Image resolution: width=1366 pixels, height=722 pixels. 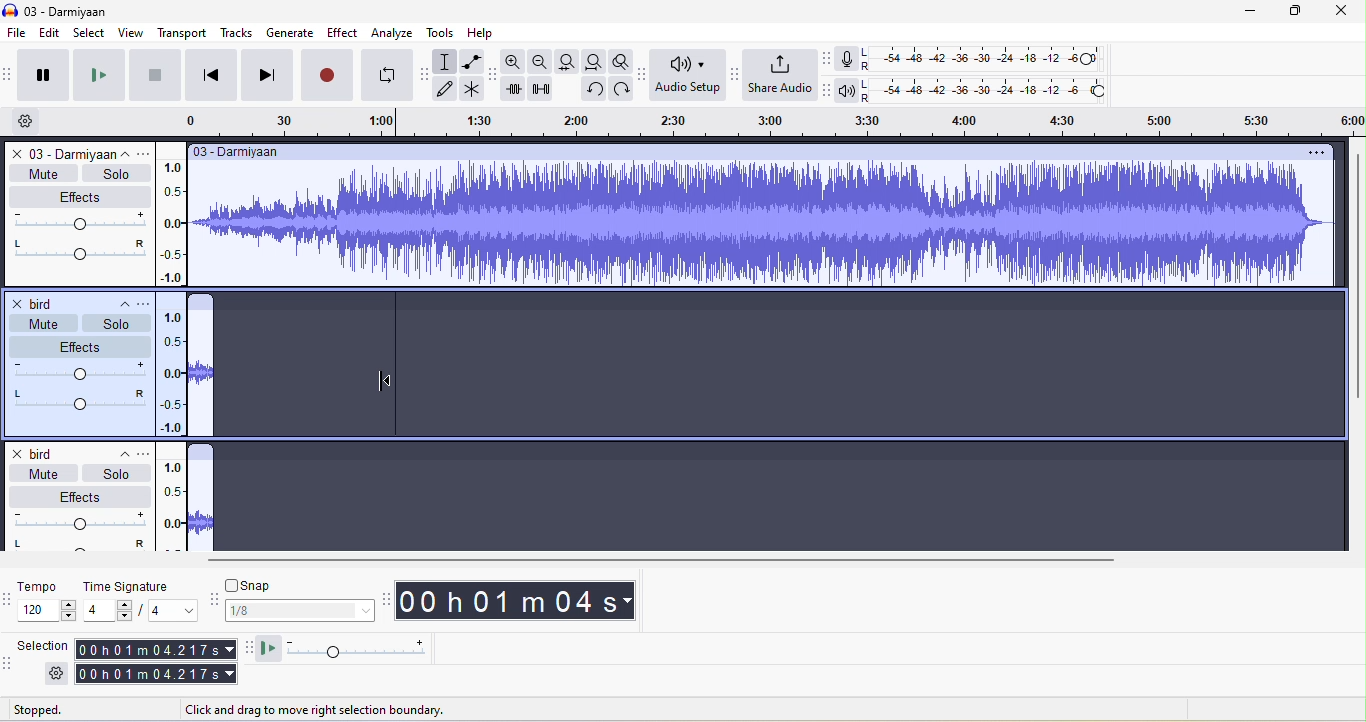 What do you see at coordinates (390, 76) in the screenshot?
I see `enable looping` at bounding box center [390, 76].